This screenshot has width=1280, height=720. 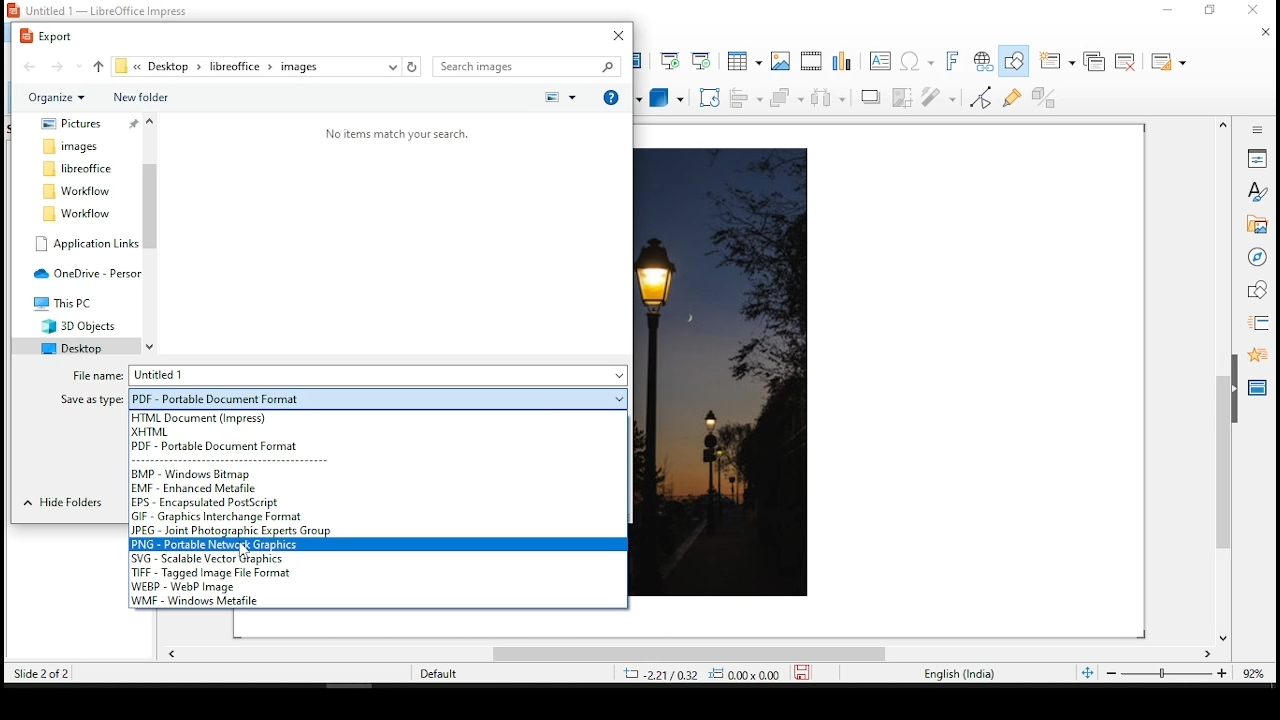 What do you see at coordinates (981, 100) in the screenshot?
I see `toggle point edit mode` at bounding box center [981, 100].